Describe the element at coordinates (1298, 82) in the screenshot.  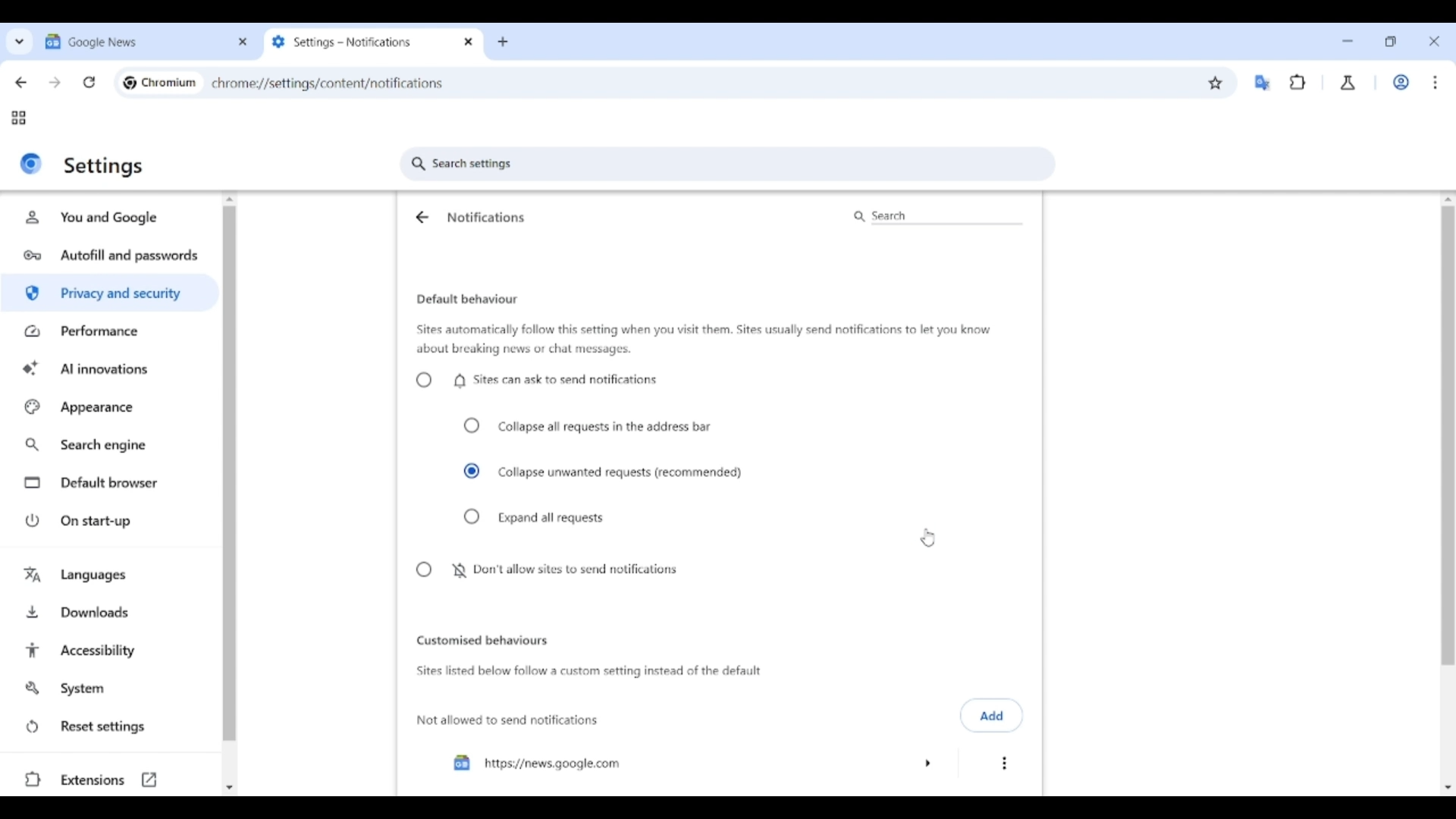
I see `Browser extensions` at that location.